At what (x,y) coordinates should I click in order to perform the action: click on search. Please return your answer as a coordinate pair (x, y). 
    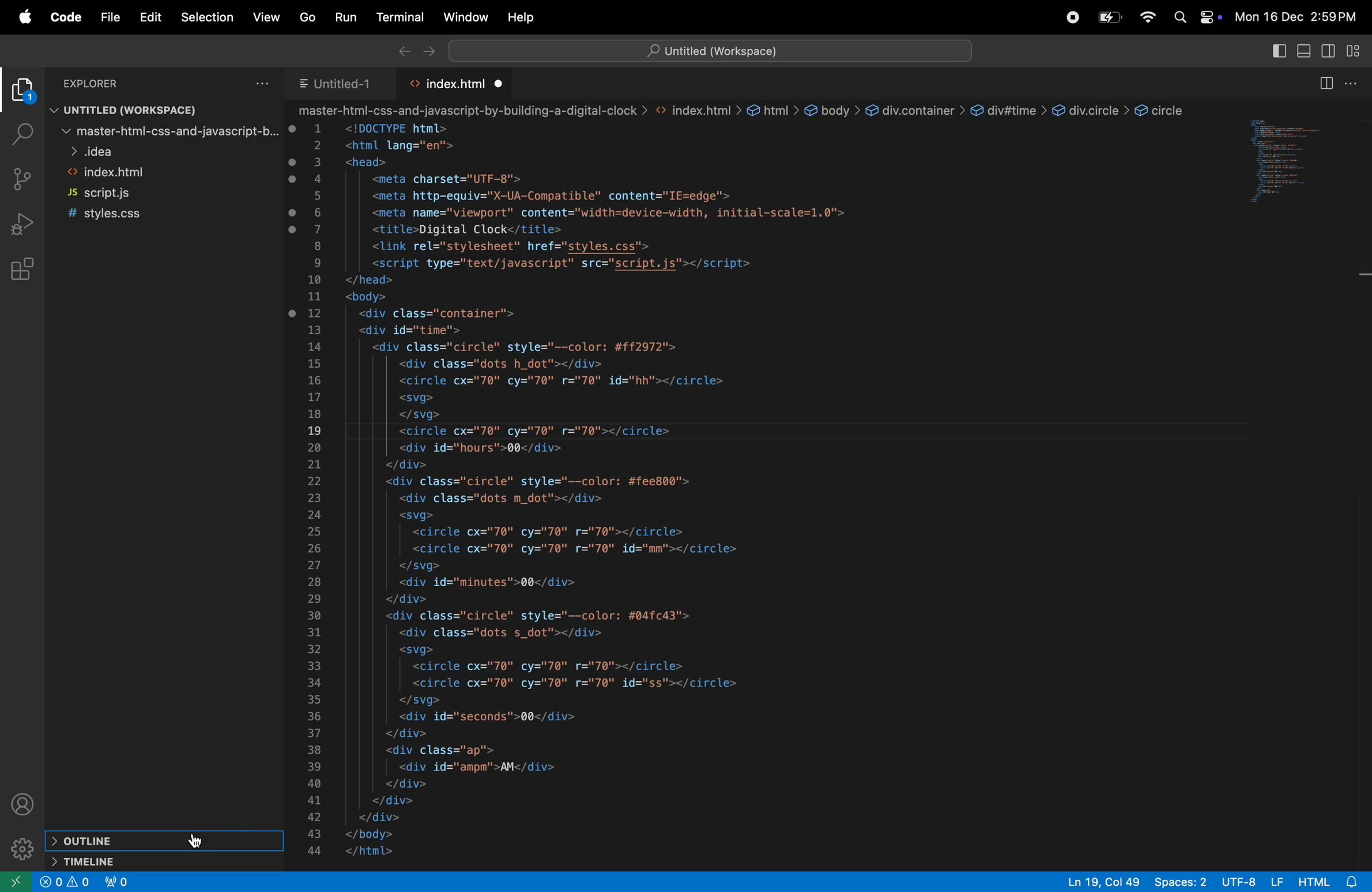
    Looking at the image, I should click on (1180, 19).